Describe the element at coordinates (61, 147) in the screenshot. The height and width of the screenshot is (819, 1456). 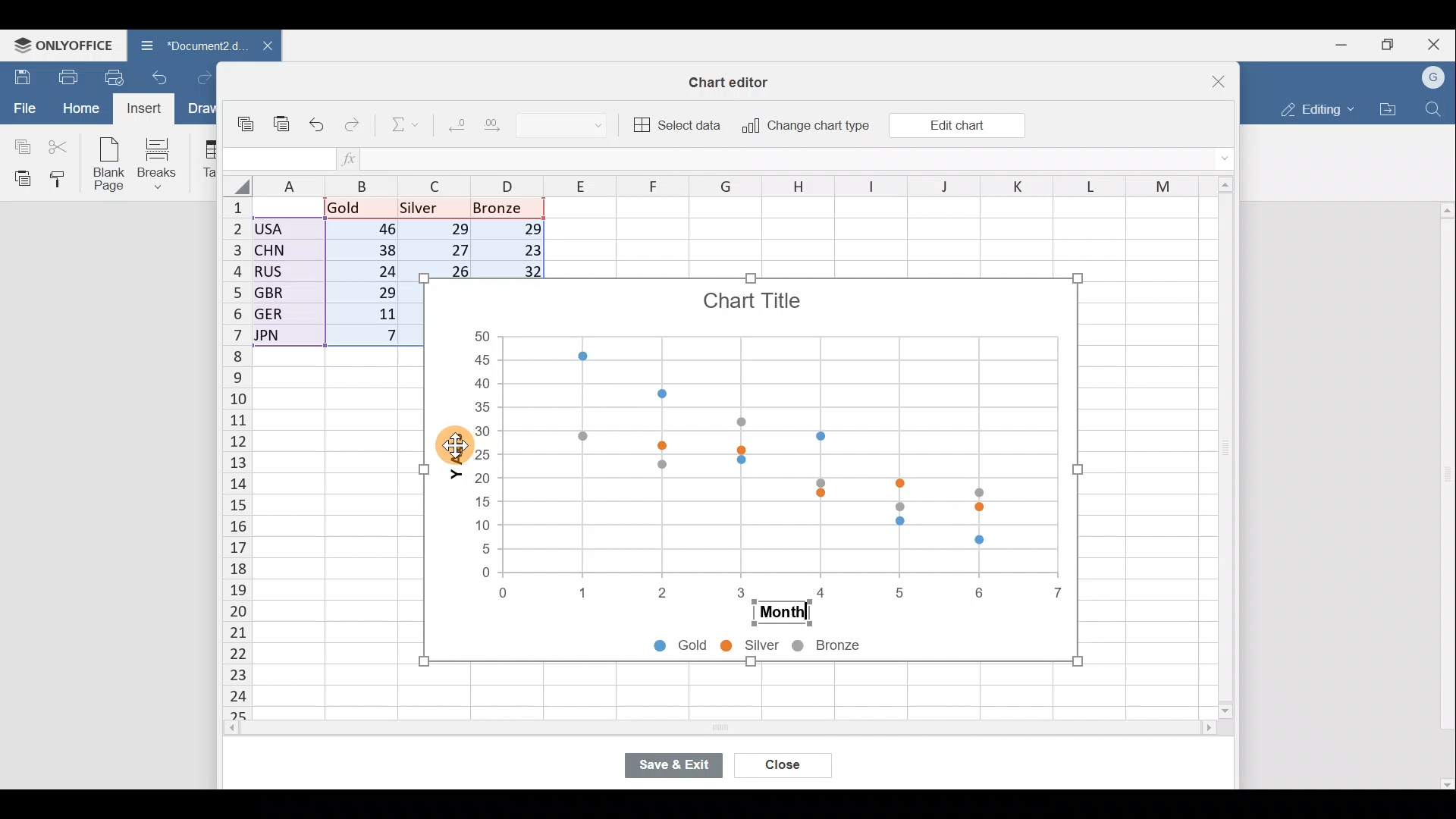
I see `Cut` at that location.